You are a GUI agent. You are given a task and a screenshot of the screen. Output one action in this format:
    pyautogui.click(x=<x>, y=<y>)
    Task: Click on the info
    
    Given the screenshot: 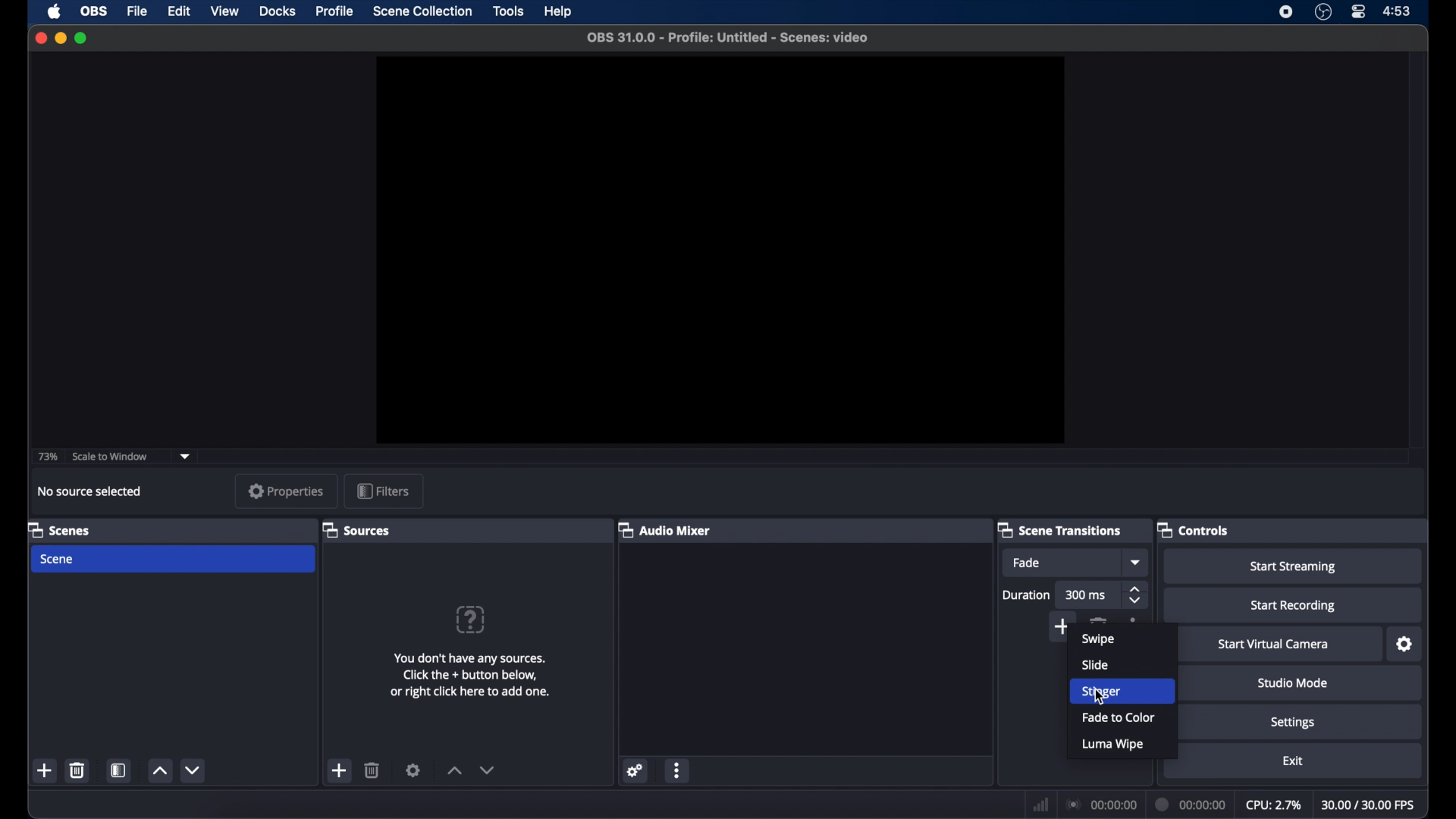 What is the action you would take?
    pyautogui.click(x=472, y=675)
    